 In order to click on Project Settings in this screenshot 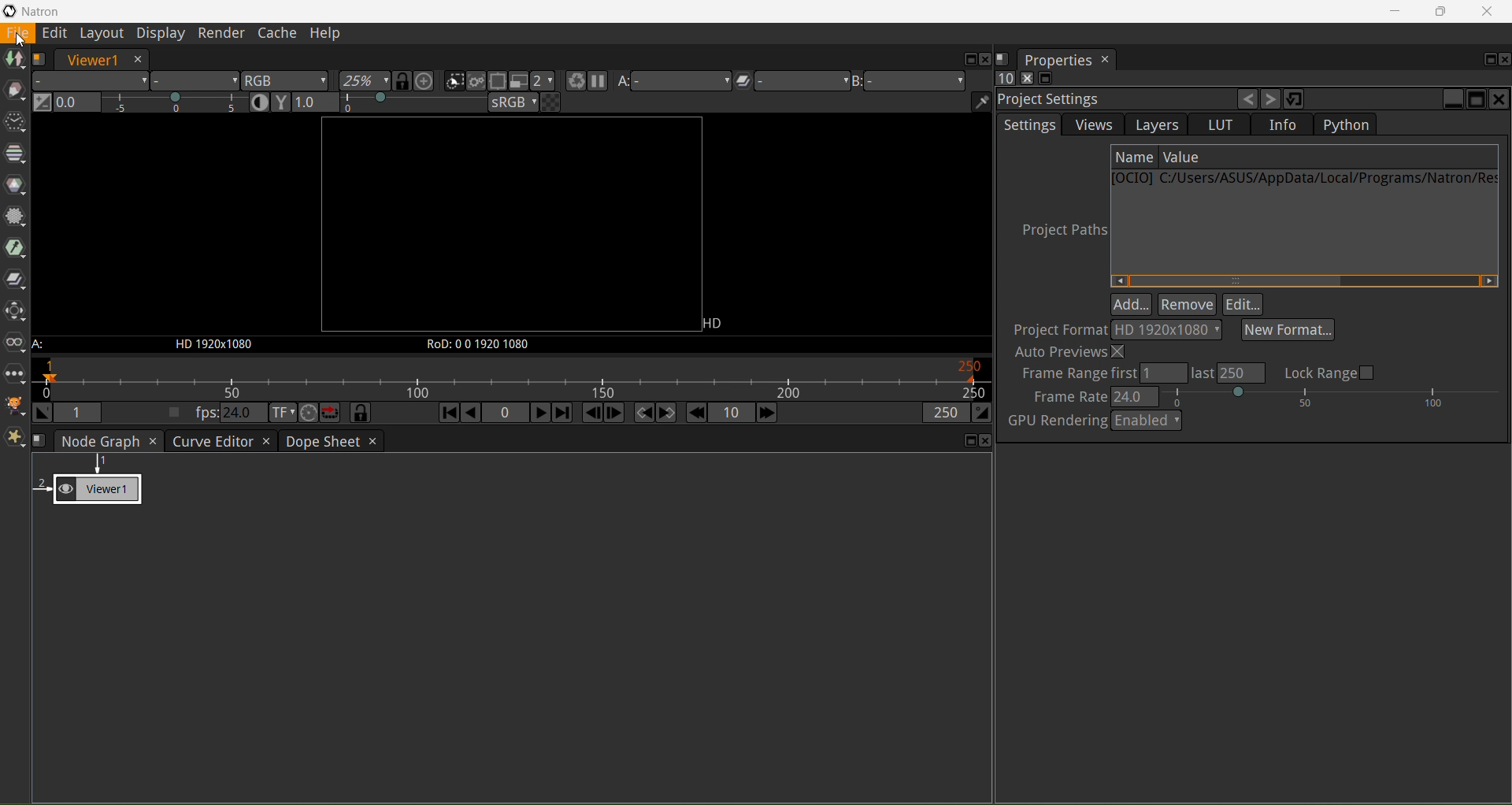, I will do `click(1053, 100)`.